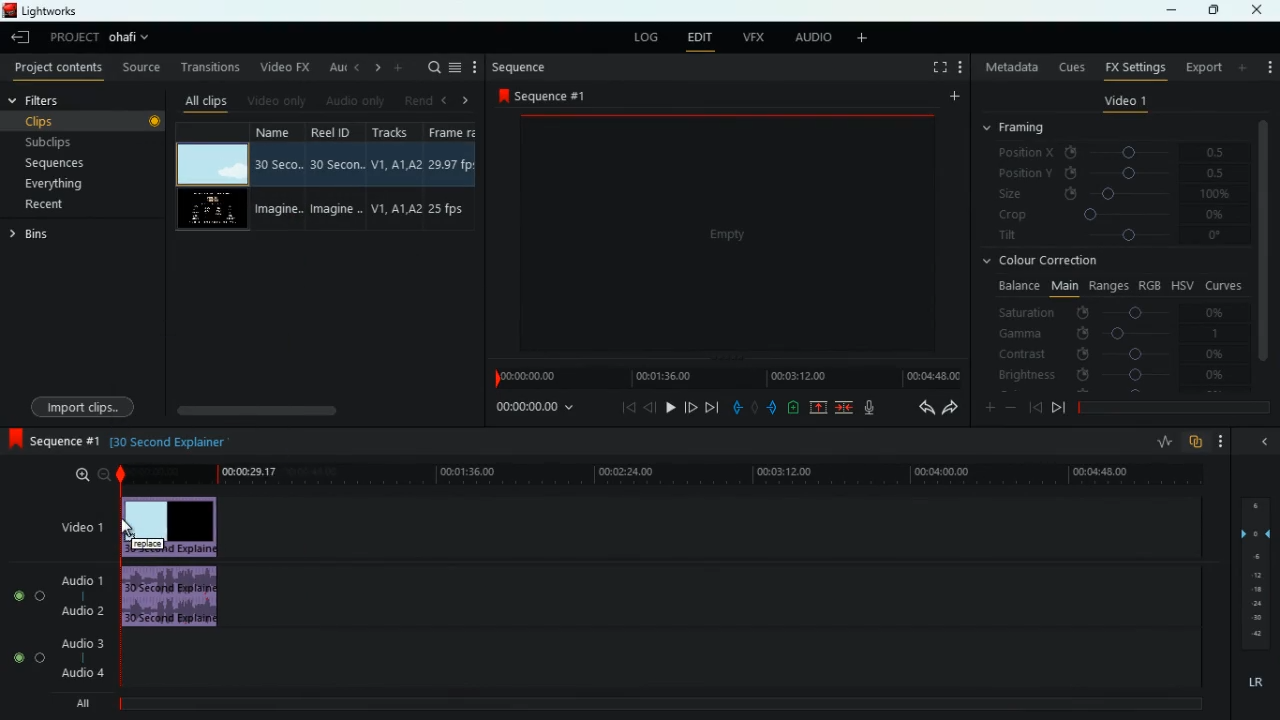  I want to click on rend, so click(414, 100).